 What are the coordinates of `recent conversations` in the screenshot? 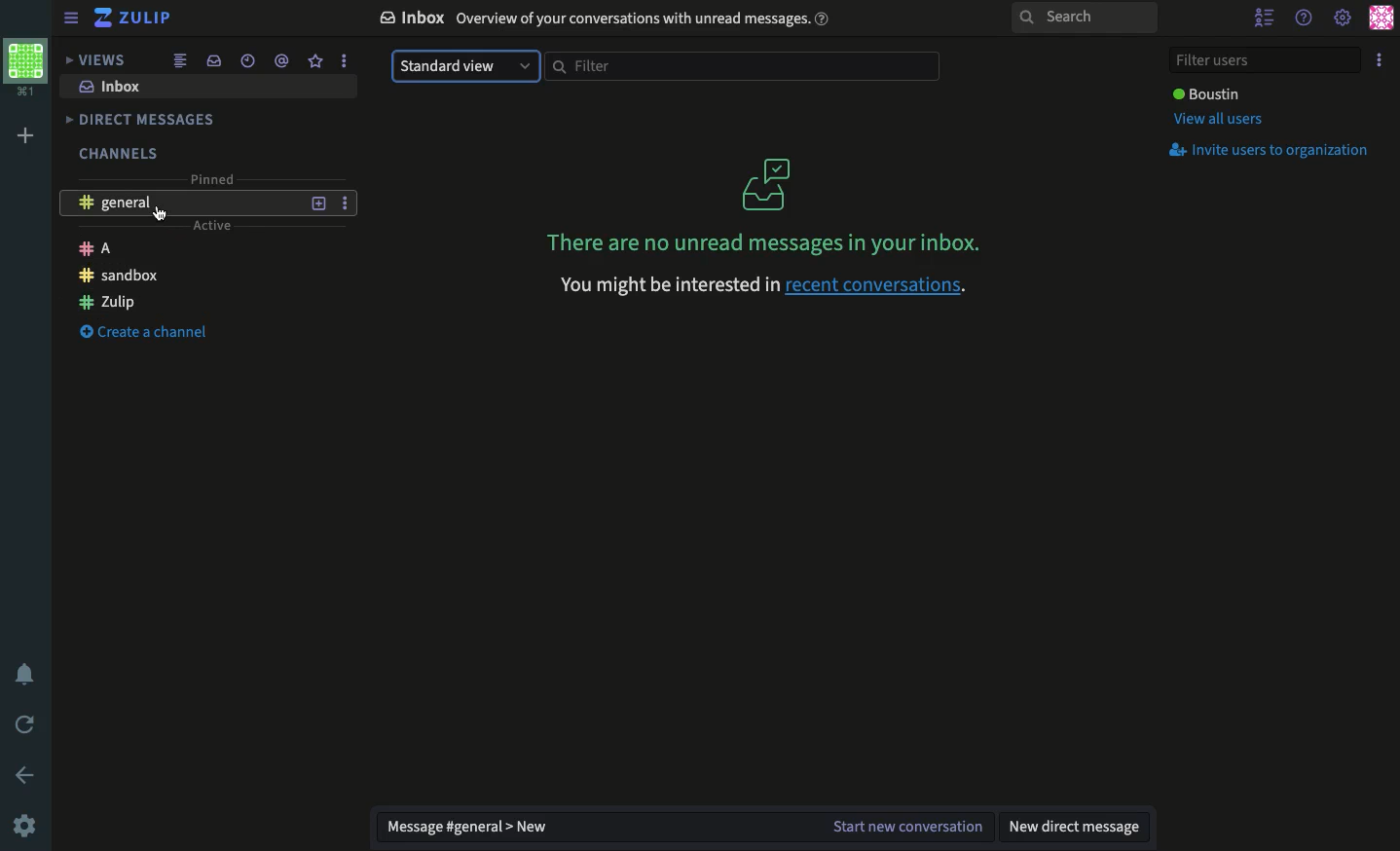 It's located at (779, 284).